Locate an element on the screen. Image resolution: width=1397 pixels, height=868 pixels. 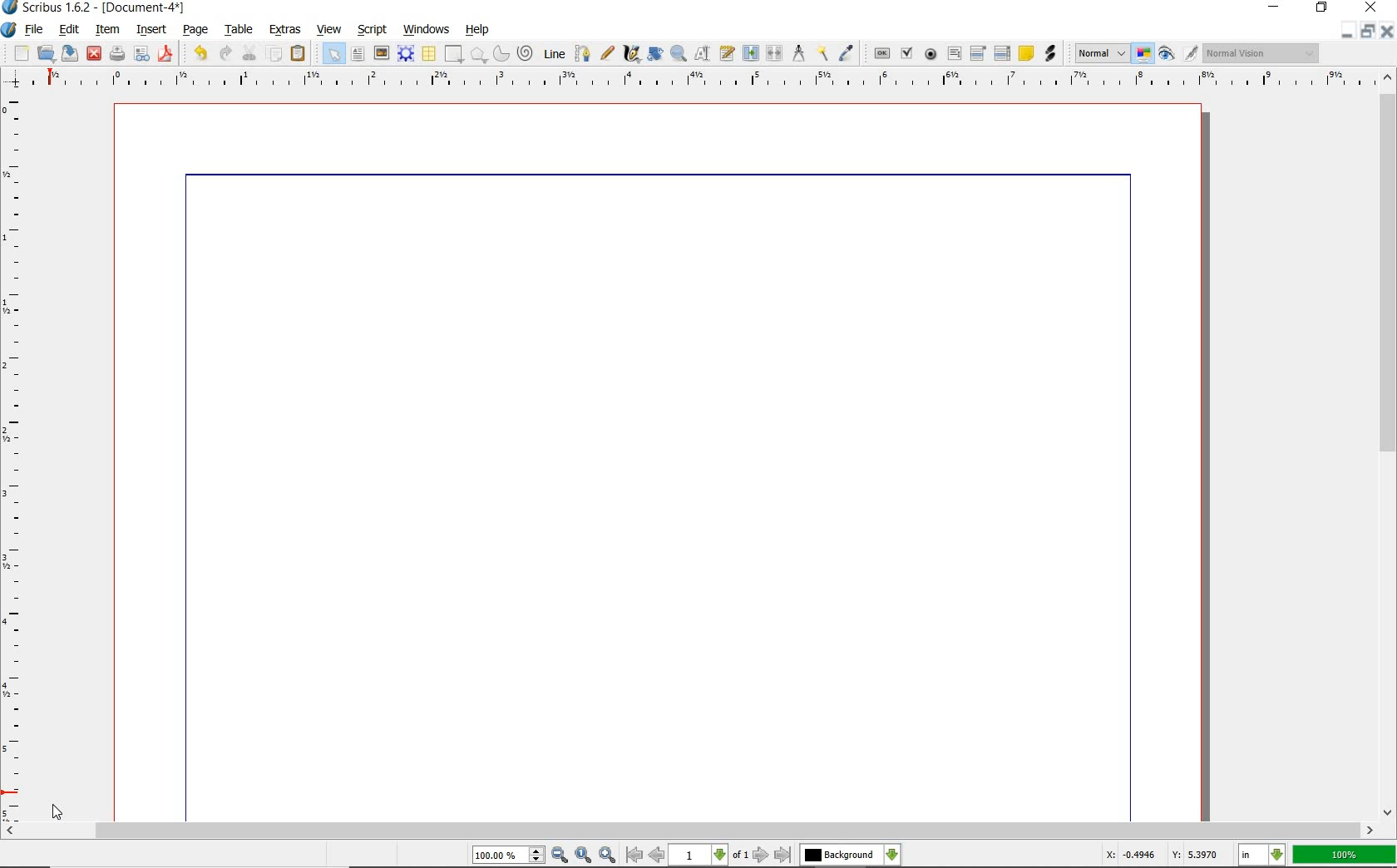
pdf combo box is located at coordinates (979, 52).